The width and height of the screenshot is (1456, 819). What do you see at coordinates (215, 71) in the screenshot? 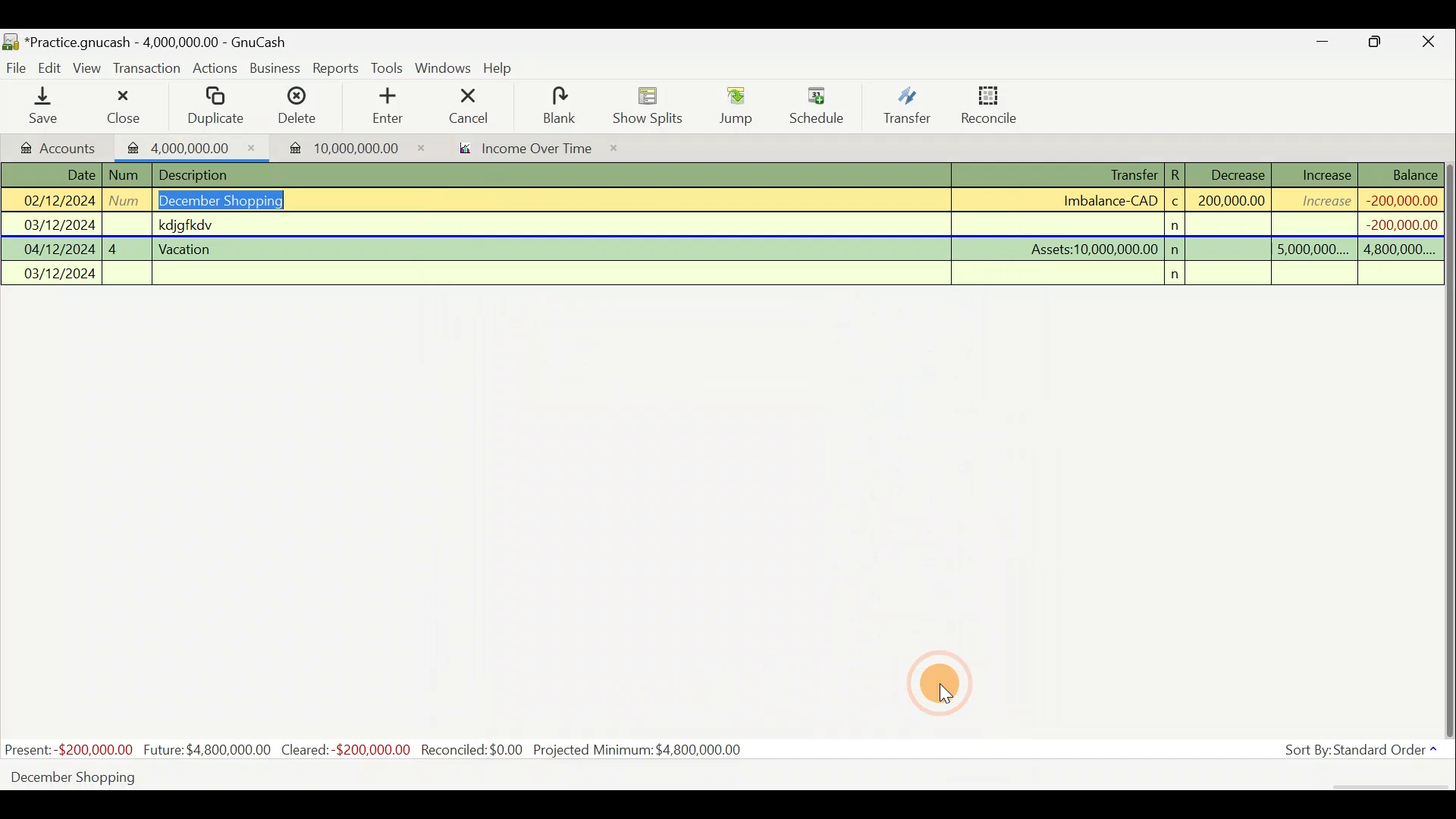
I see `Actions` at bounding box center [215, 71].